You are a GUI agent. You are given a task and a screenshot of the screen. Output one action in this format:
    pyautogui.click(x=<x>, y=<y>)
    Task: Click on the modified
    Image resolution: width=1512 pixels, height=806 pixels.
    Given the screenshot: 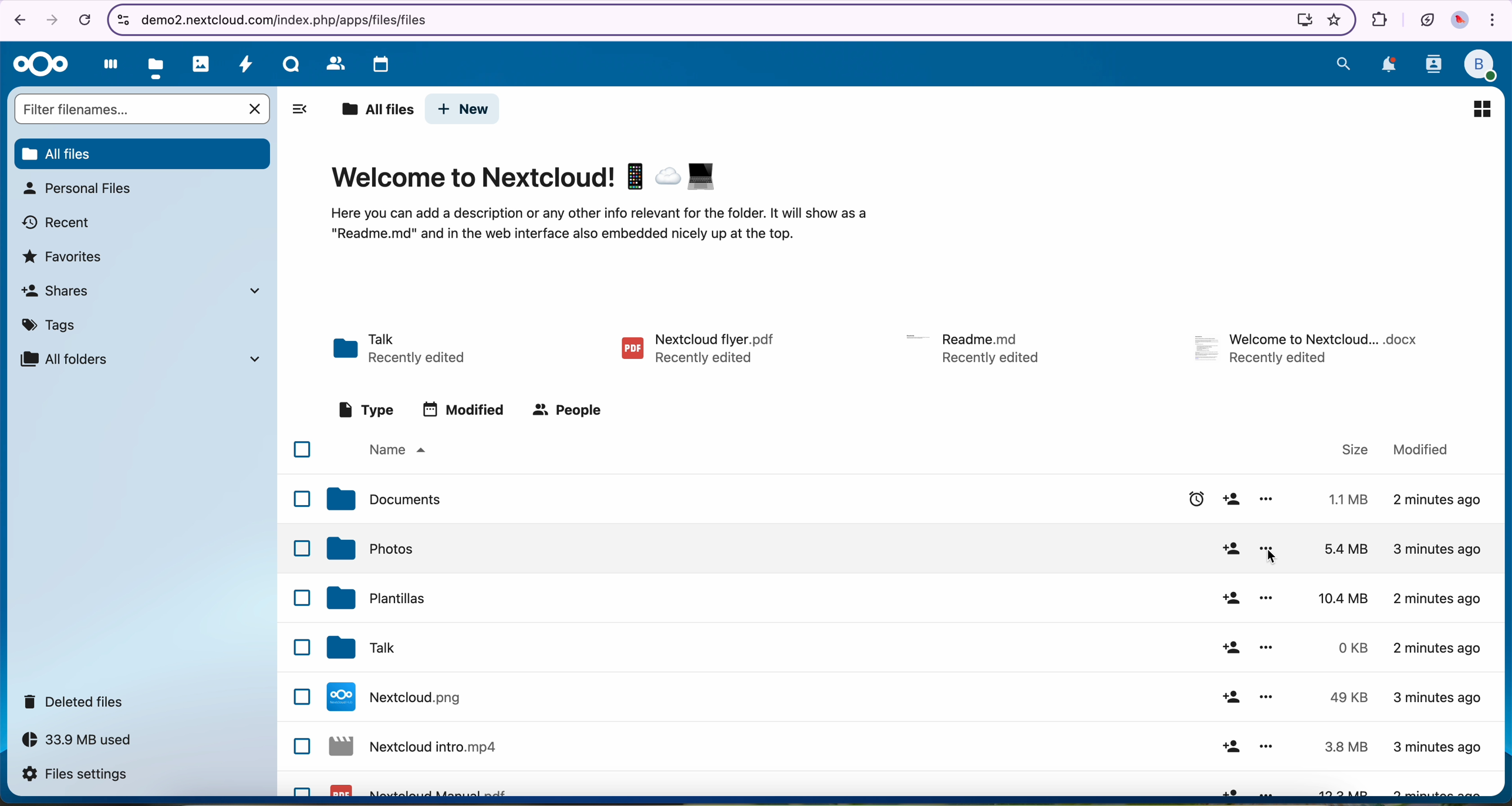 What is the action you would take?
    pyautogui.click(x=1422, y=449)
    